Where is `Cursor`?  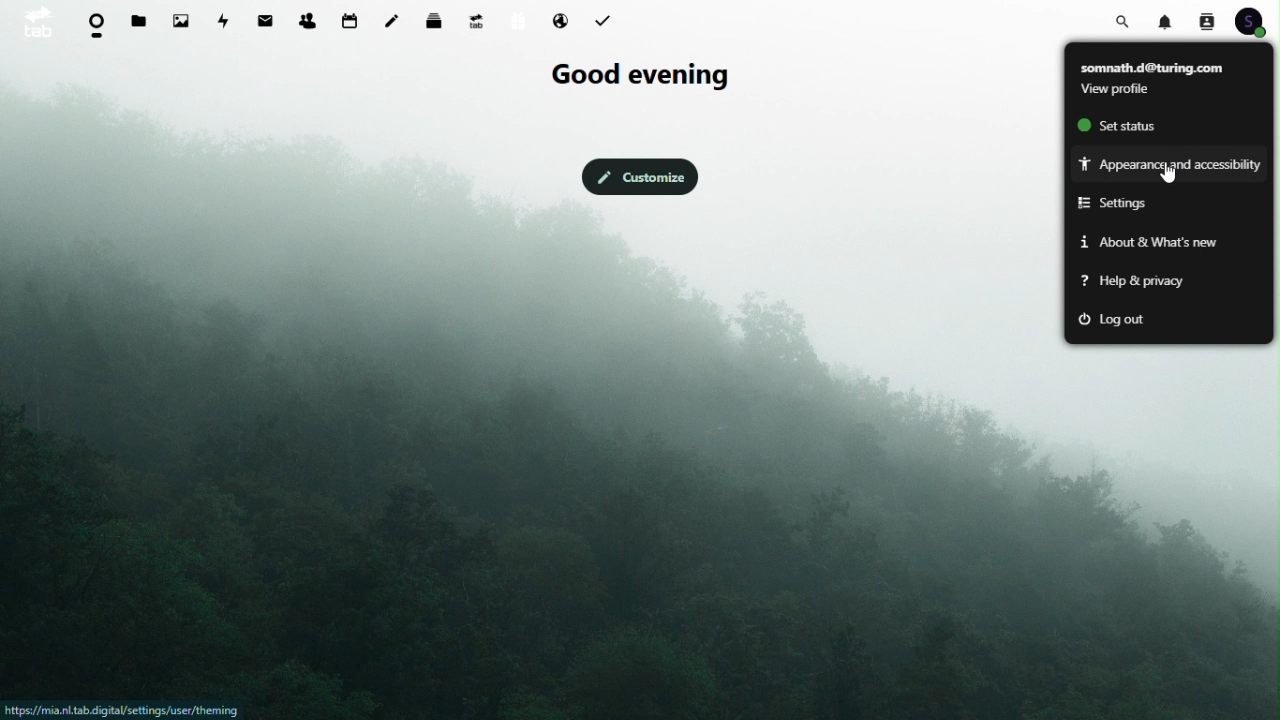 Cursor is located at coordinates (1171, 174).